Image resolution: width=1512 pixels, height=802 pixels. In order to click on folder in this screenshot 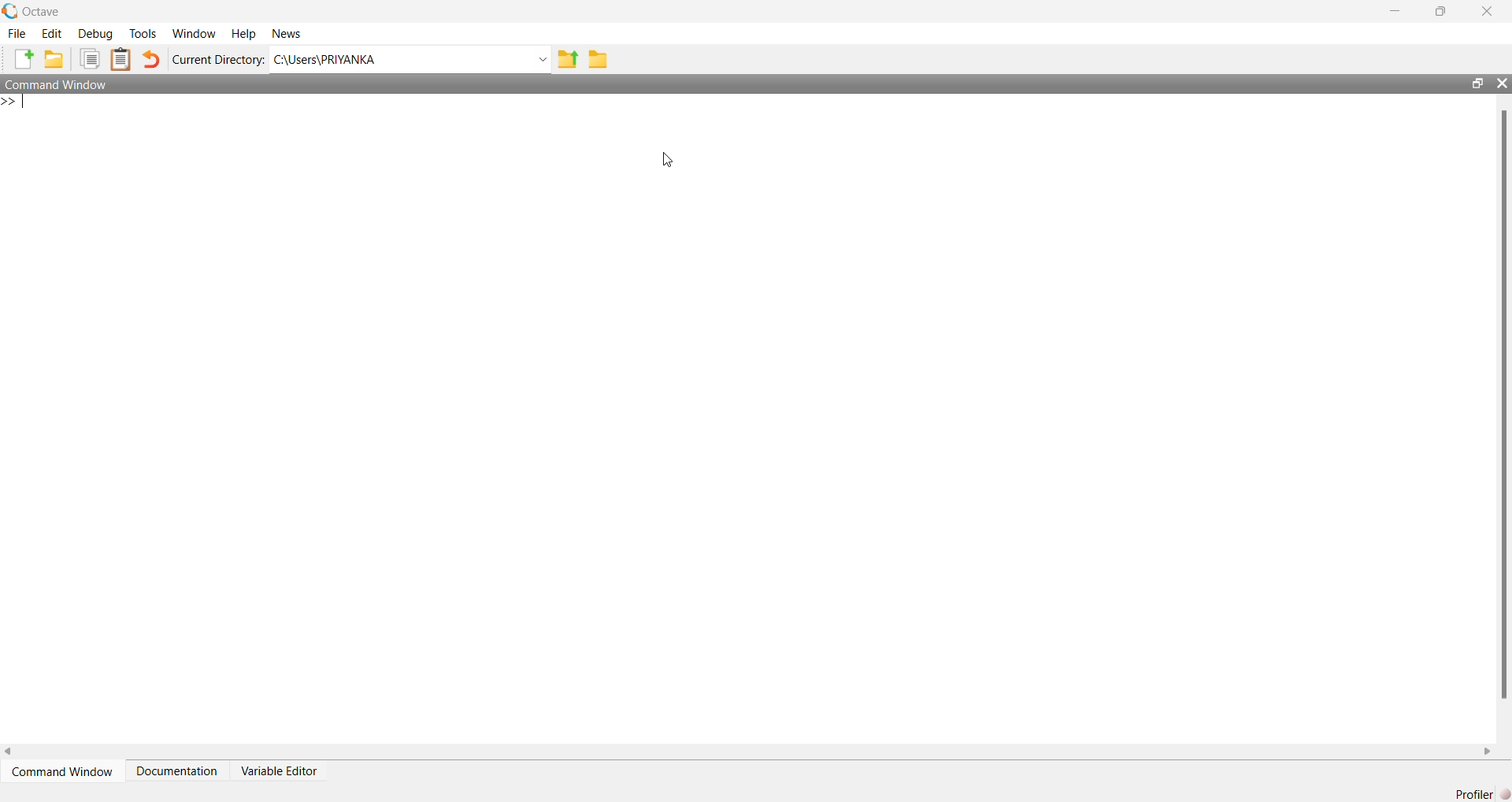, I will do `click(598, 60)`.